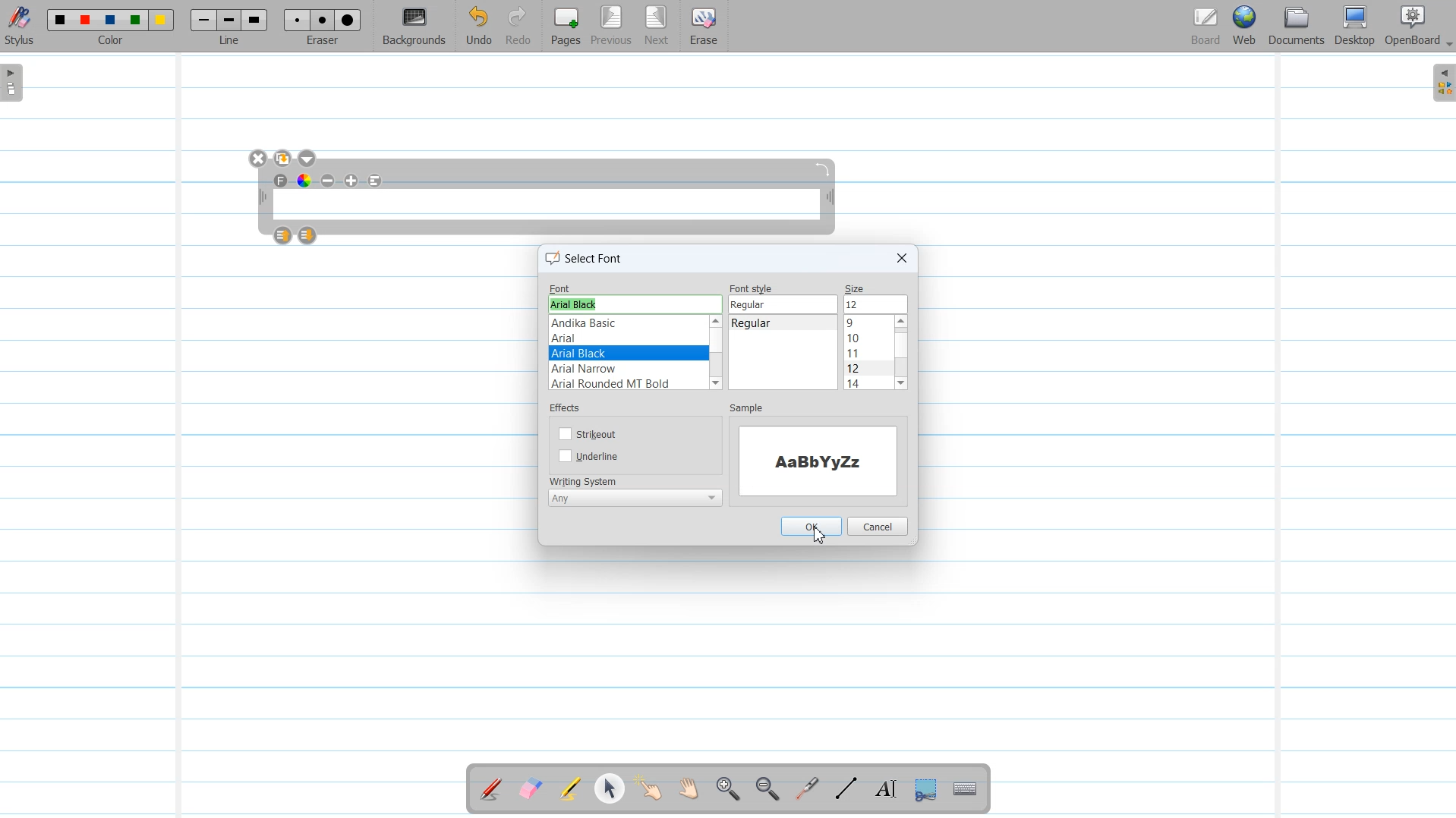  What do you see at coordinates (775, 354) in the screenshot?
I see `Font styles` at bounding box center [775, 354].